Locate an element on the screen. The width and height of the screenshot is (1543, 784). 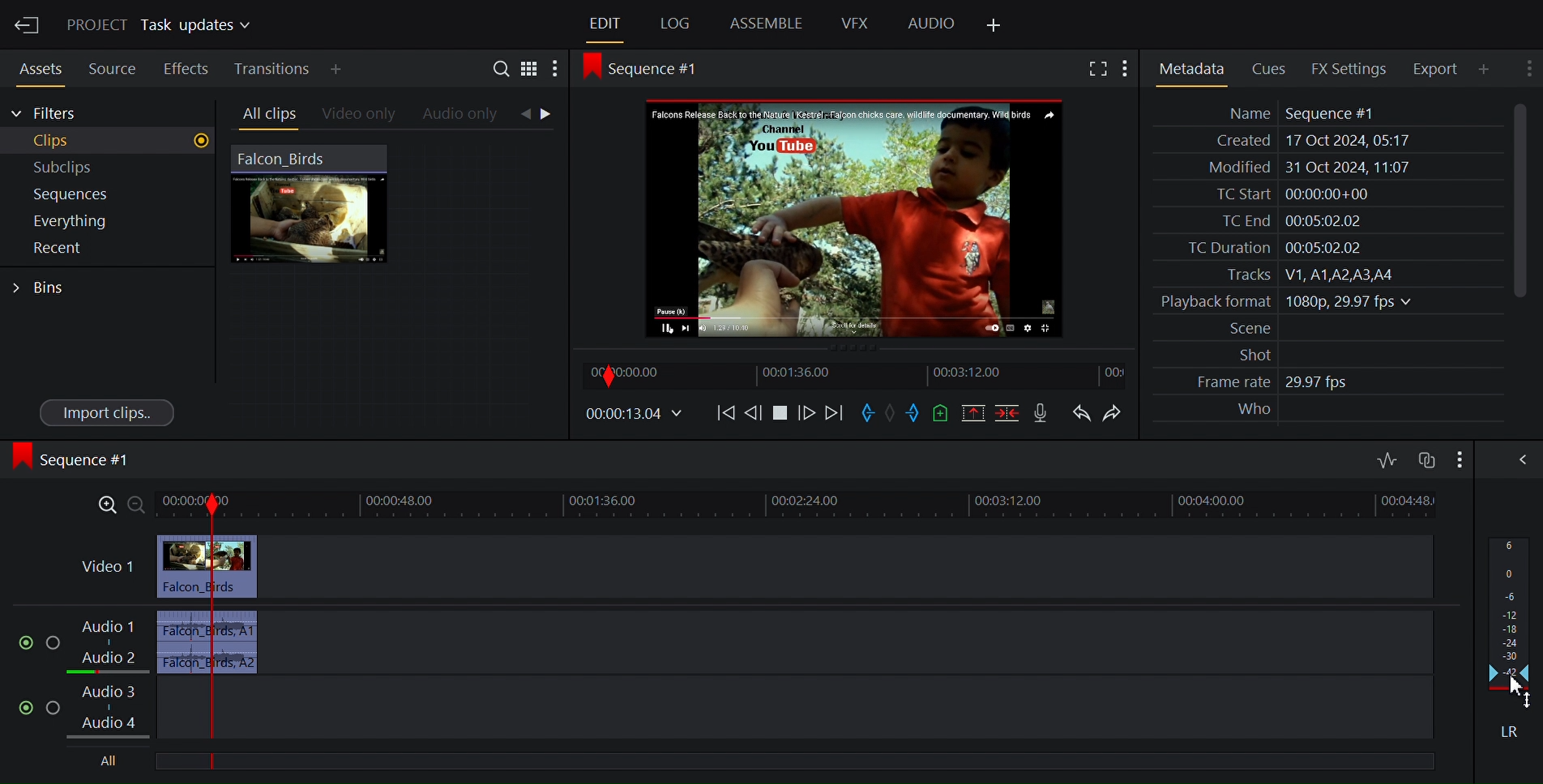
All is located at coordinates (107, 762).